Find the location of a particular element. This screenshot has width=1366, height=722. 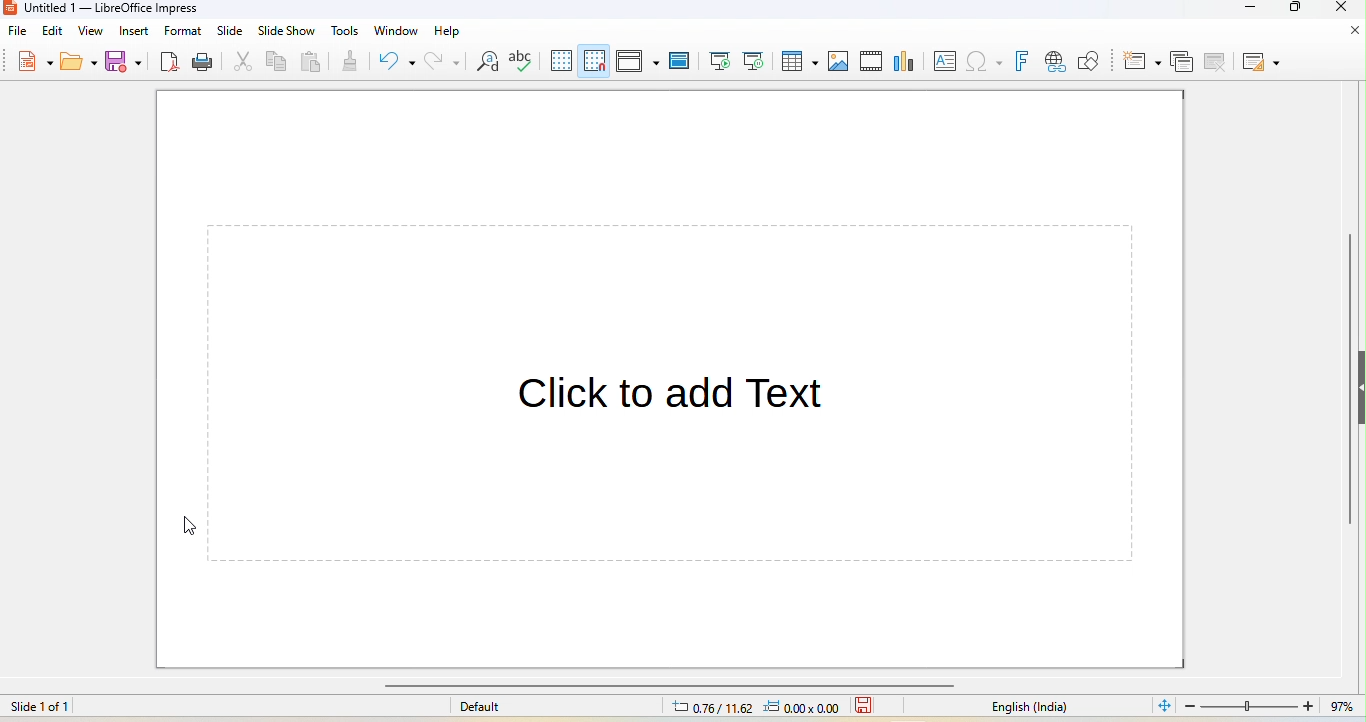

insert audio/video is located at coordinates (872, 61).